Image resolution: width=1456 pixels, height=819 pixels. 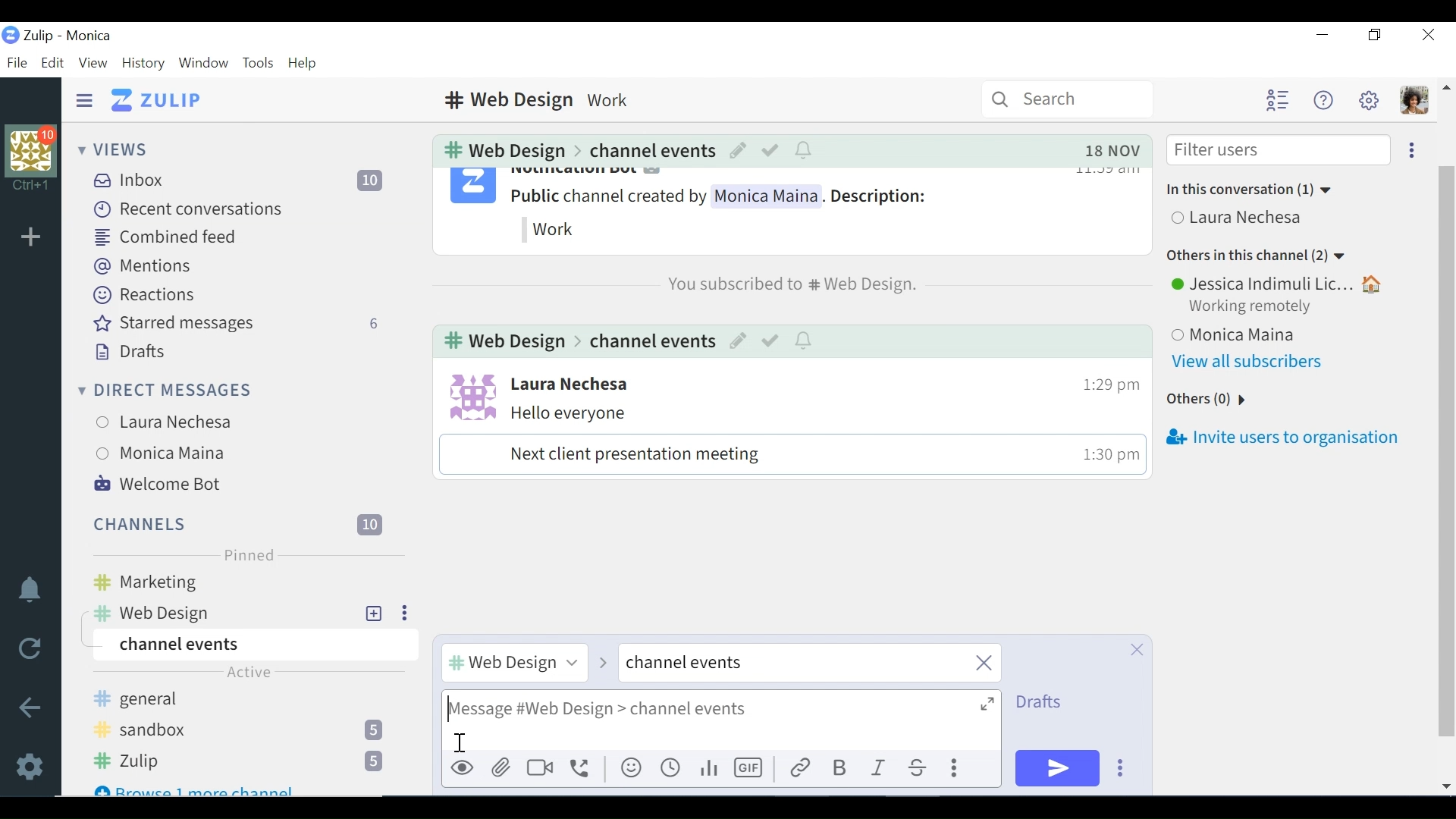 What do you see at coordinates (1103, 380) in the screenshot?
I see `time` at bounding box center [1103, 380].